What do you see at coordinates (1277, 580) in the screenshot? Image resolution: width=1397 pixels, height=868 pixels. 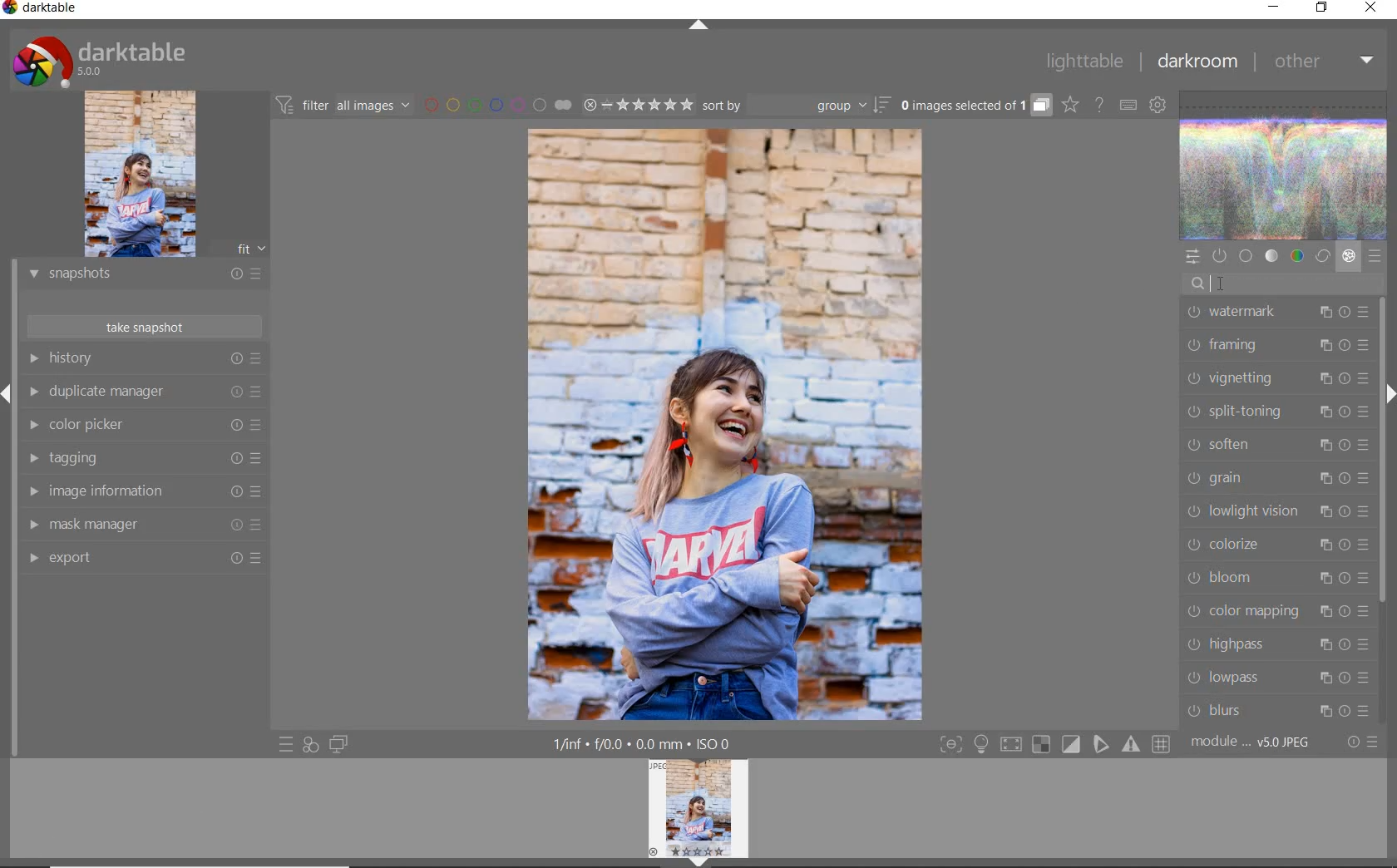 I see `bloom` at bounding box center [1277, 580].